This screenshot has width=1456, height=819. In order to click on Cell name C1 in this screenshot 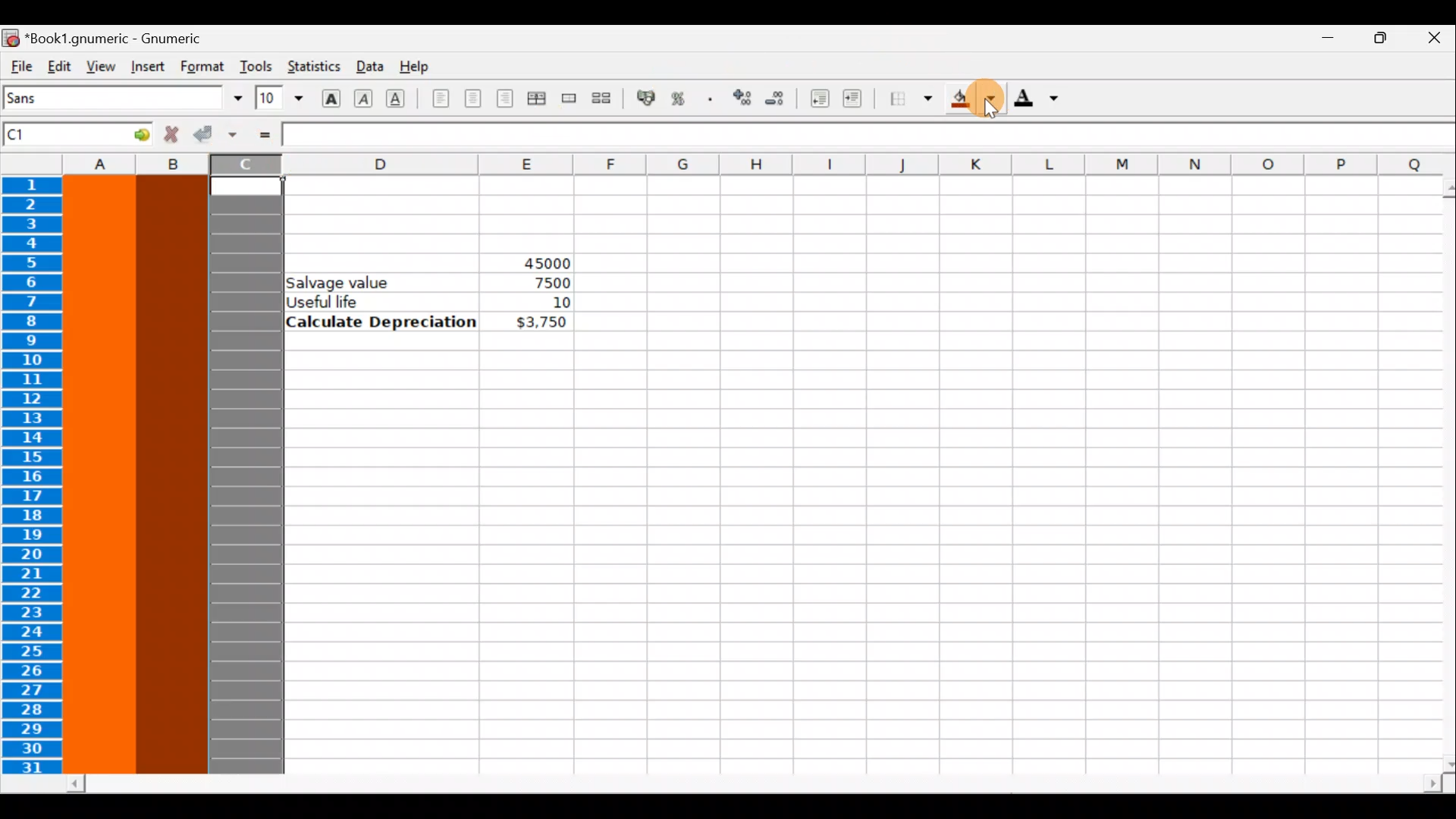, I will do `click(54, 136)`.